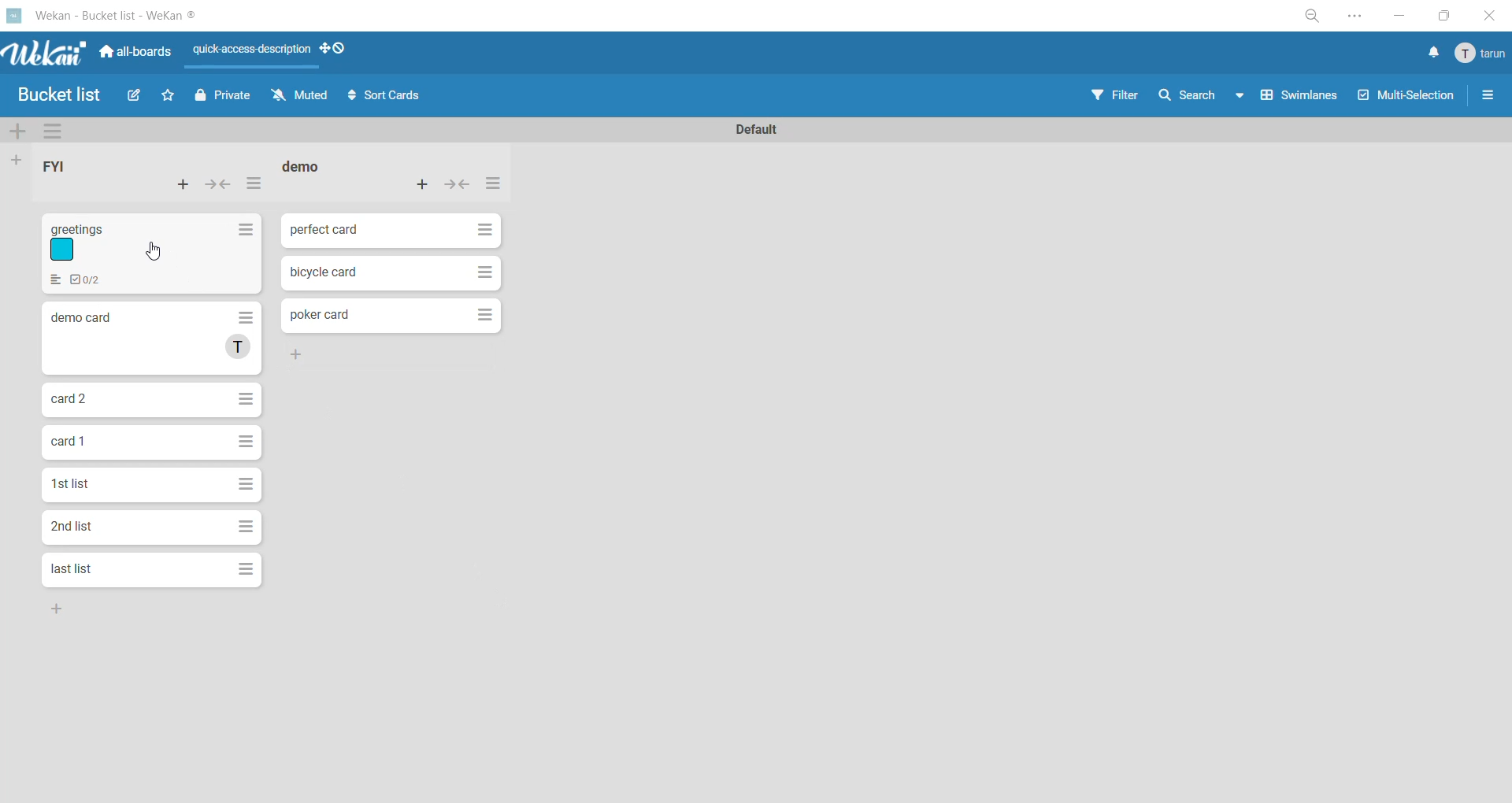  What do you see at coordinates (1442, 18) in the screenshot?
I see `maximize` at bounding box center [1442, 18].